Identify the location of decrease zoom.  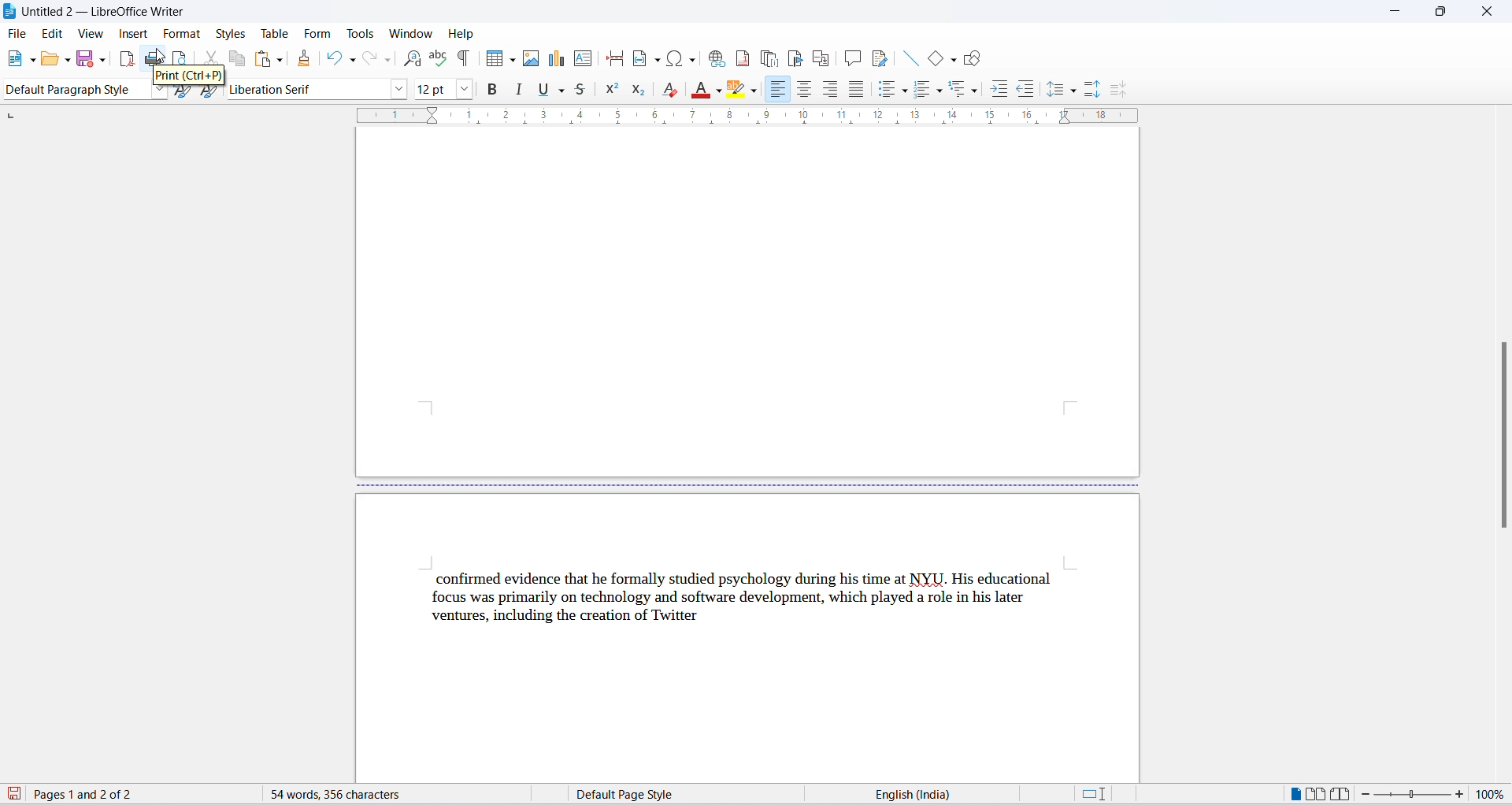
(1370, 794).